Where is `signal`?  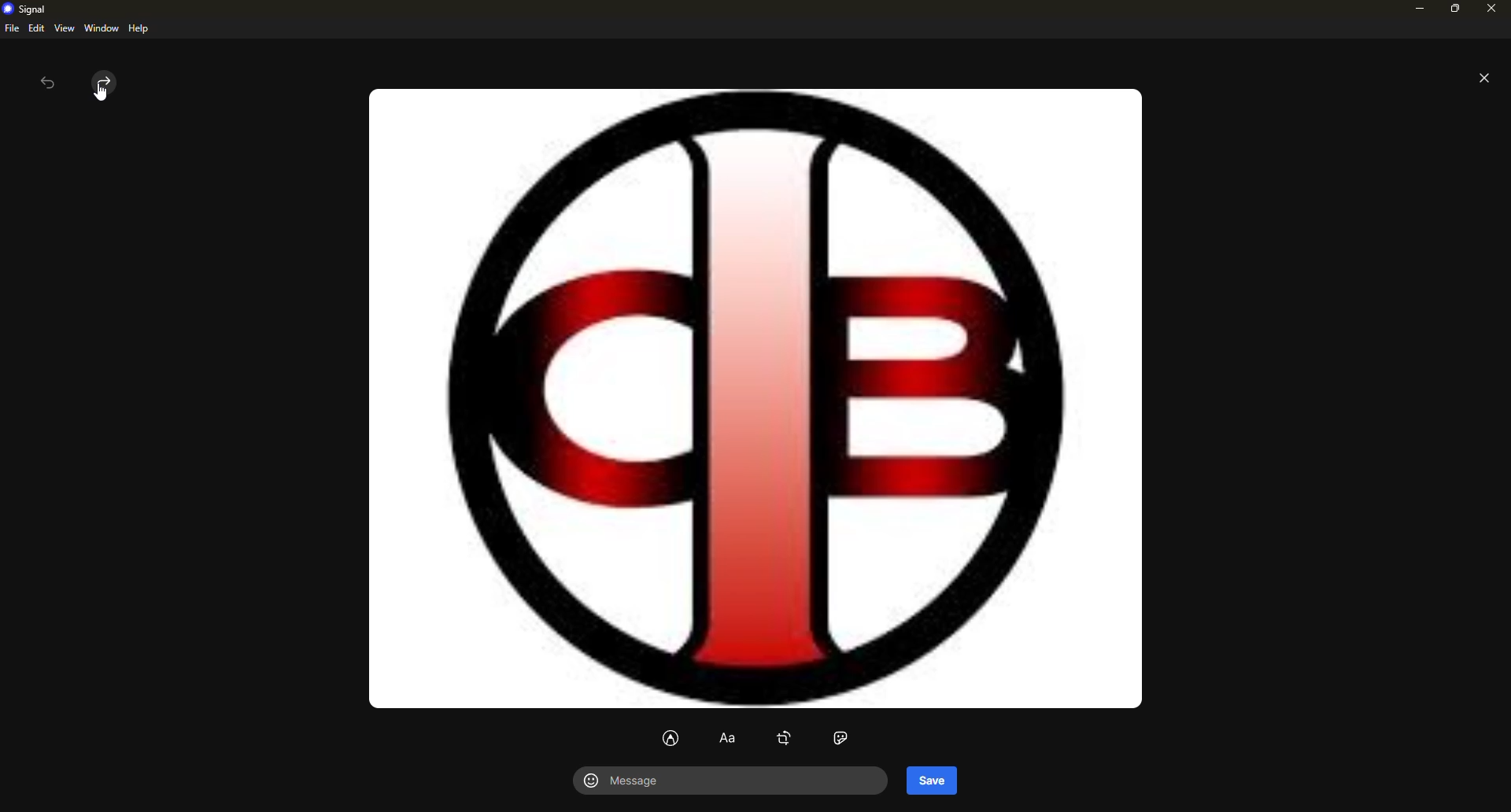
signal is located at coordinates (28, 9).